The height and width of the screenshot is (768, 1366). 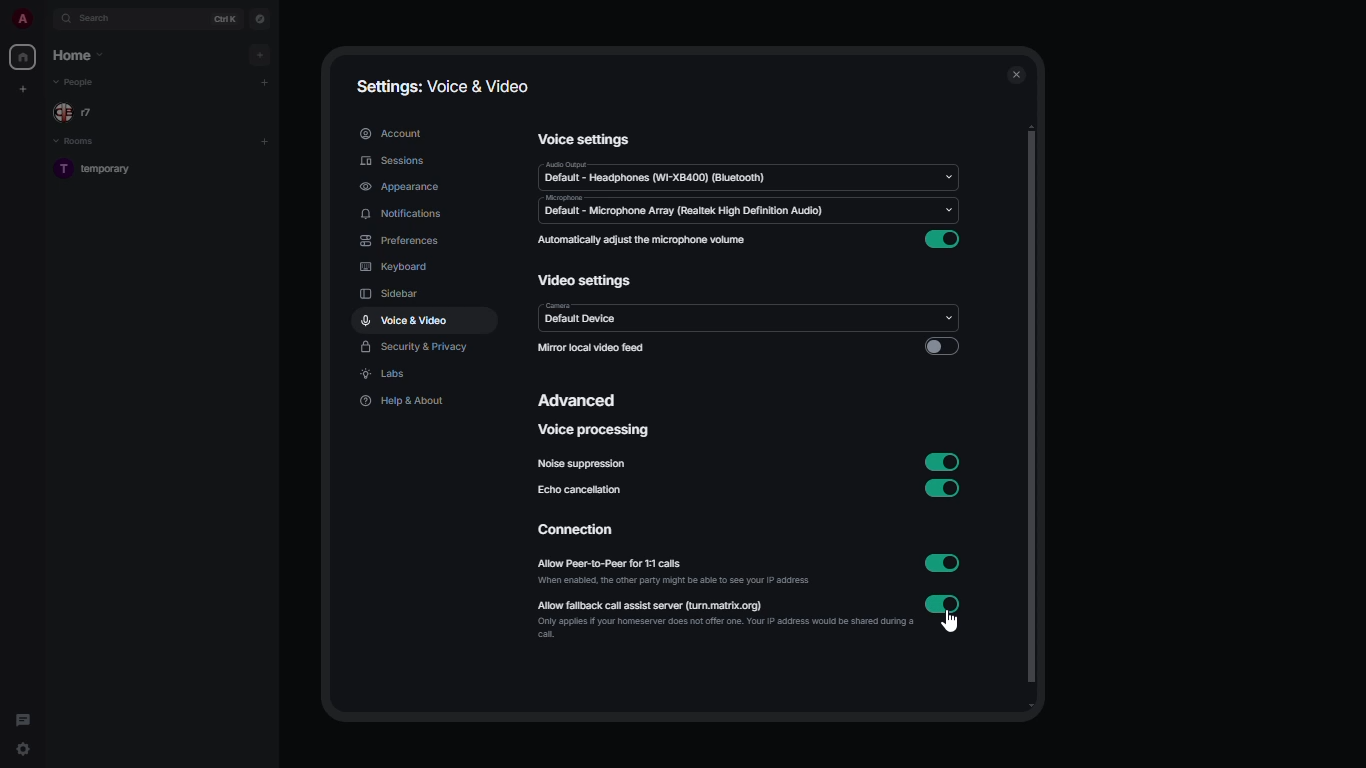 I want to click on voice settings, so click(x=587, y=140).